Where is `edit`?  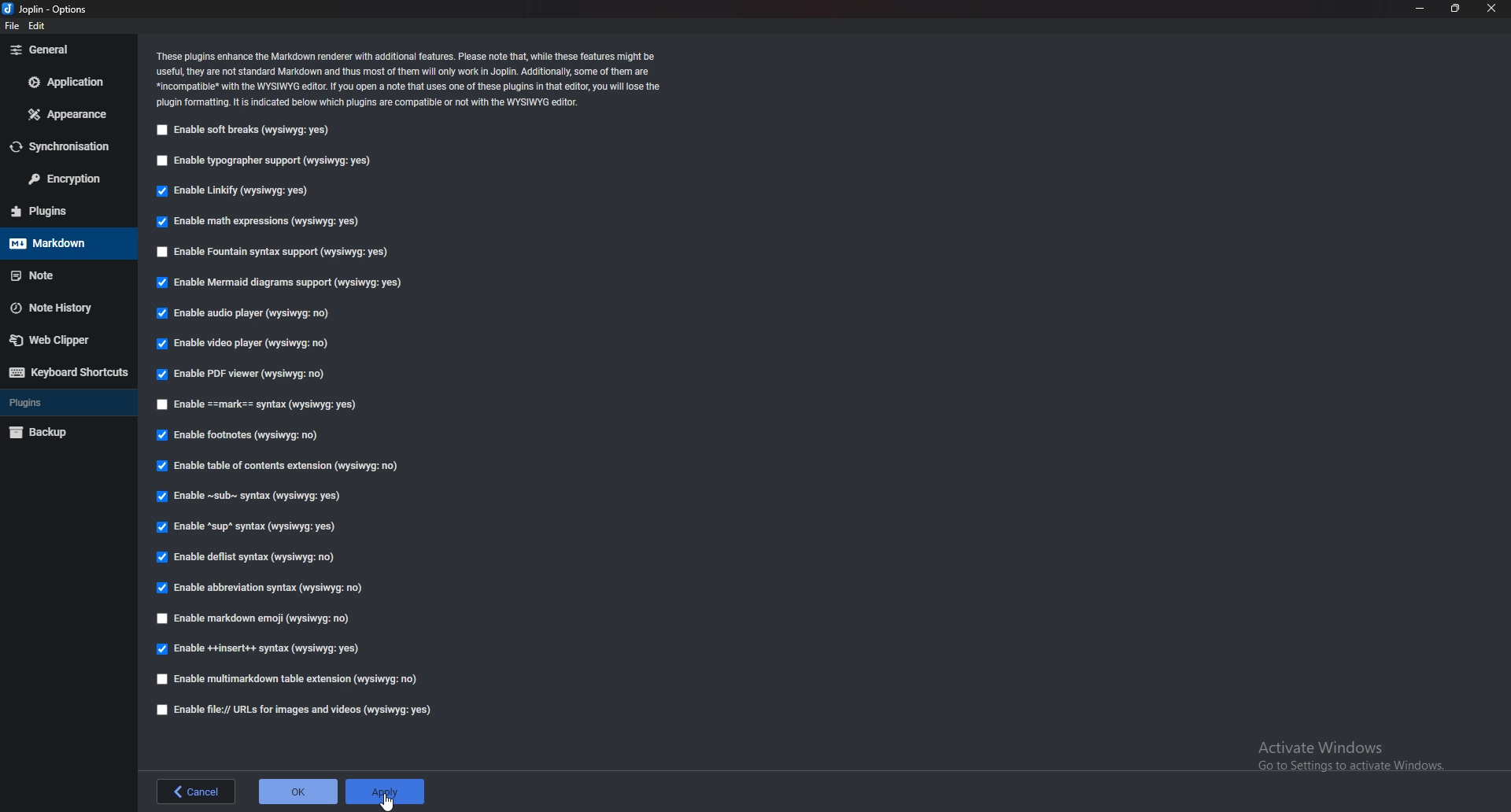
edit is located at coordinates (38, 28).